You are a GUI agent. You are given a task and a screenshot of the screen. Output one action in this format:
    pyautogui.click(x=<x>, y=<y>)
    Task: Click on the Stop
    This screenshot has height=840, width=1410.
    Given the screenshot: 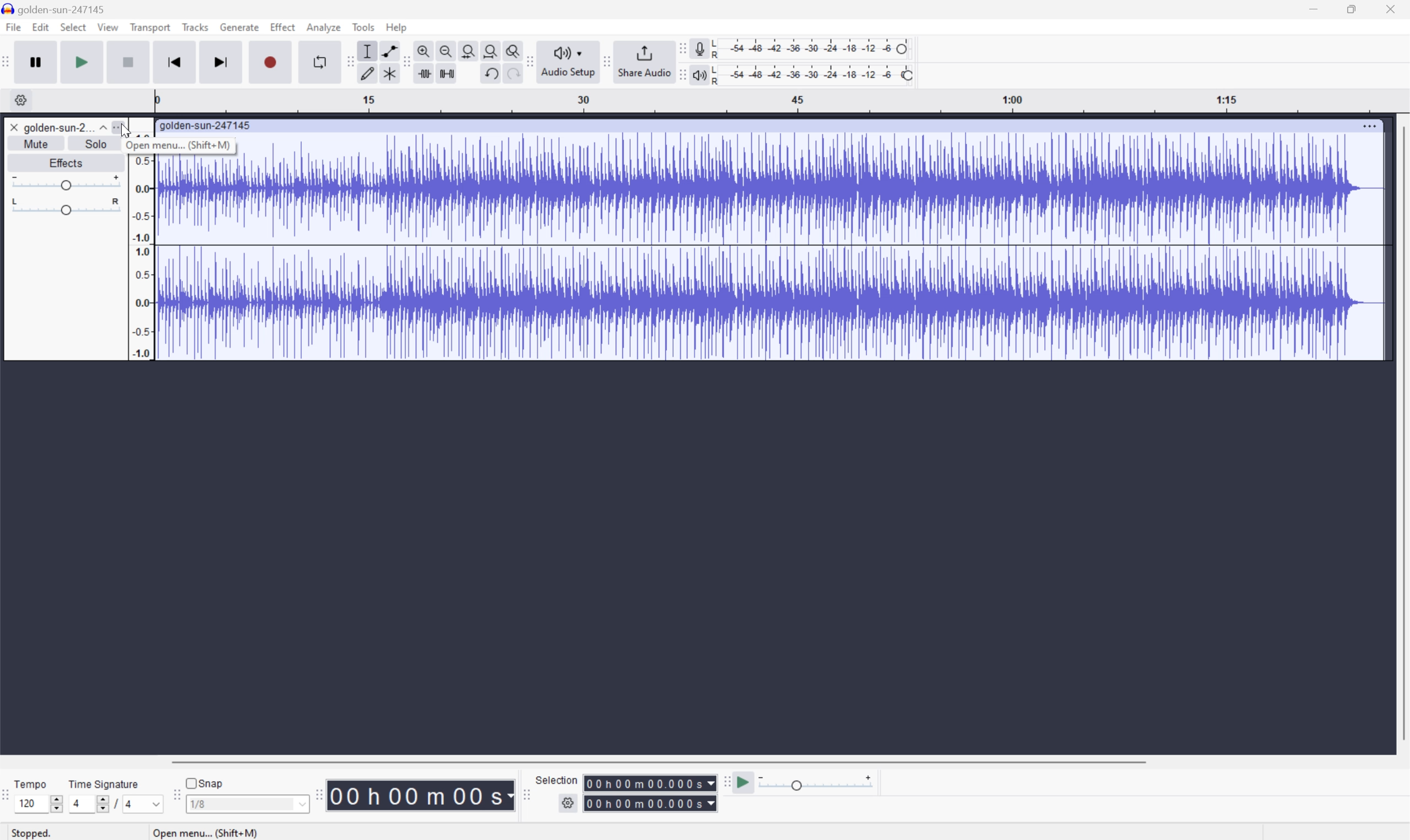 What is the action you would take?
    pyautogui.click(x=128, y=62)
    